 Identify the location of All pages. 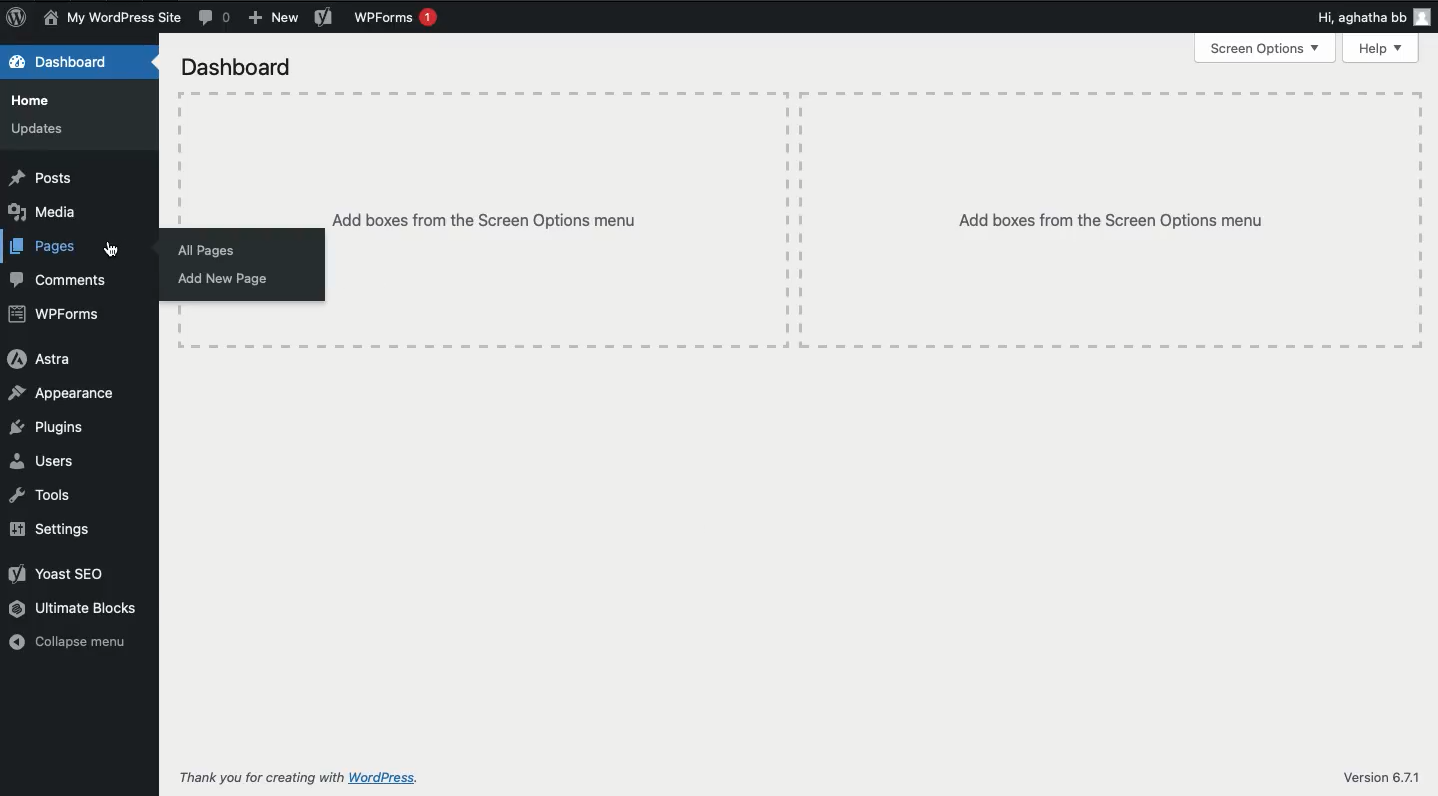
(210, 251).